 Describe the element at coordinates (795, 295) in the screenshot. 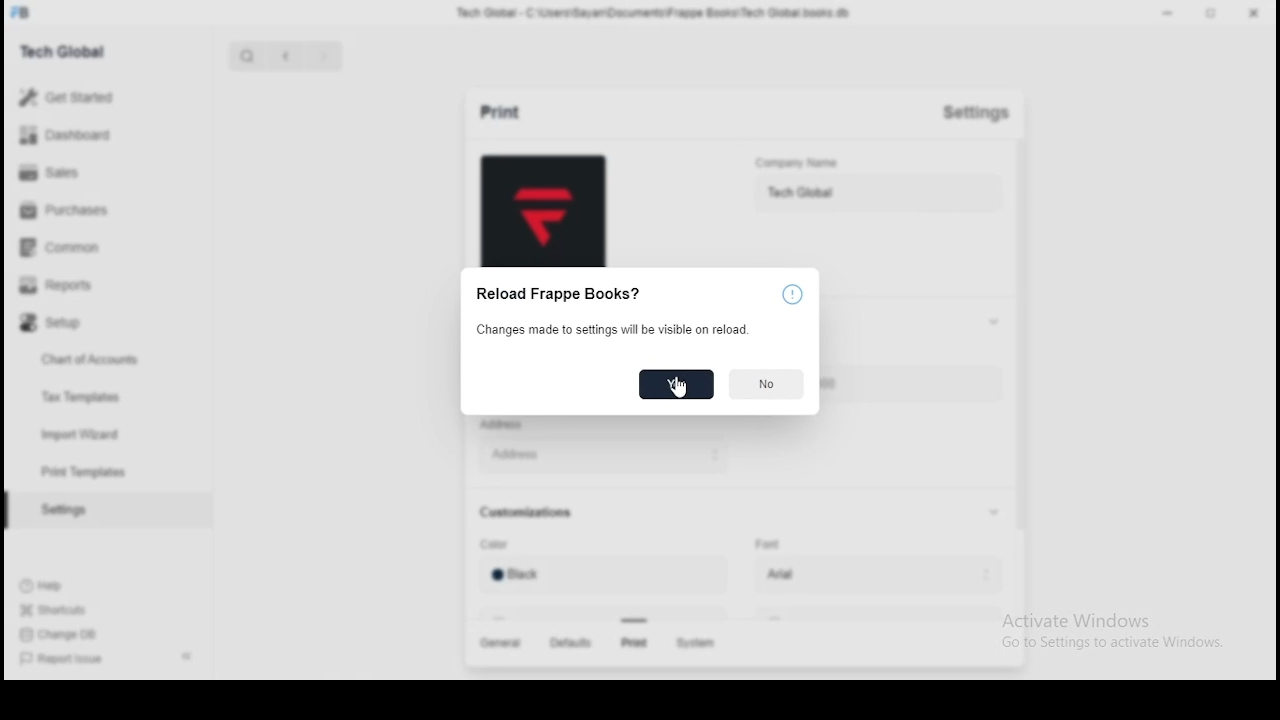

I see `caution icon` at that location.